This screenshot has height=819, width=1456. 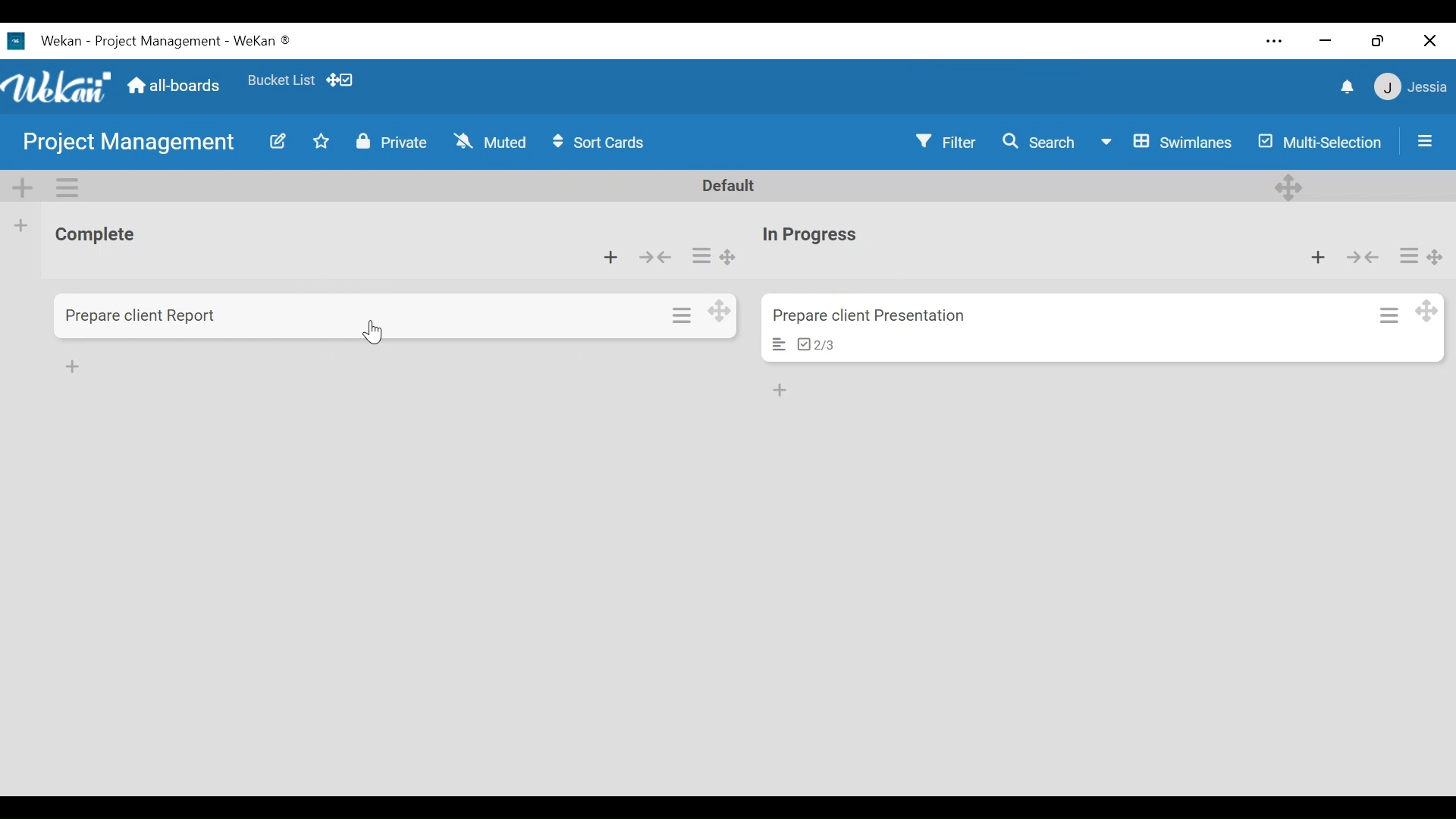 I want to click on Favorites, so click(x=283, y=80).